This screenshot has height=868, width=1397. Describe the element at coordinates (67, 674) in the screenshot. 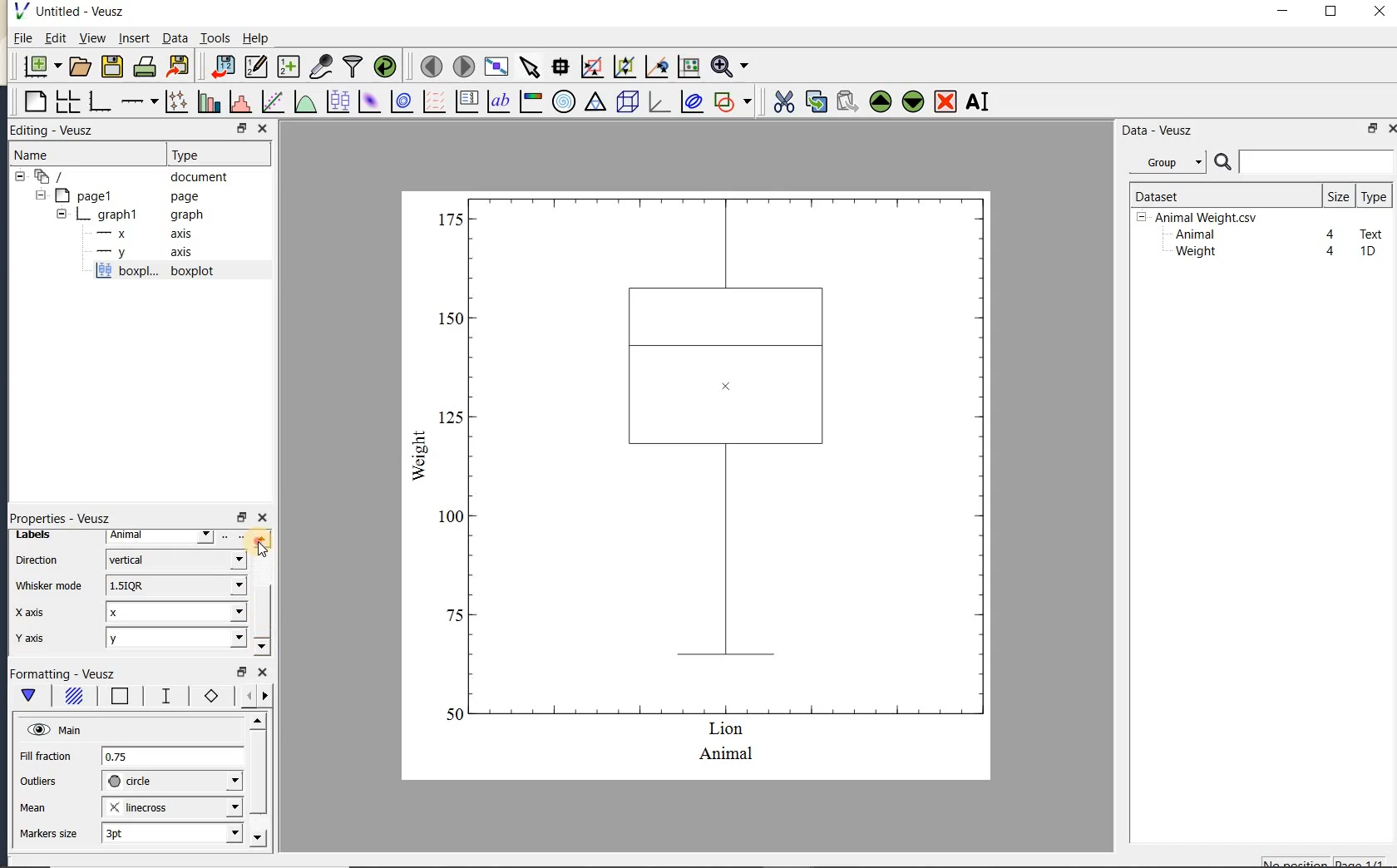

I see `Formatting - Veusz` at that location.